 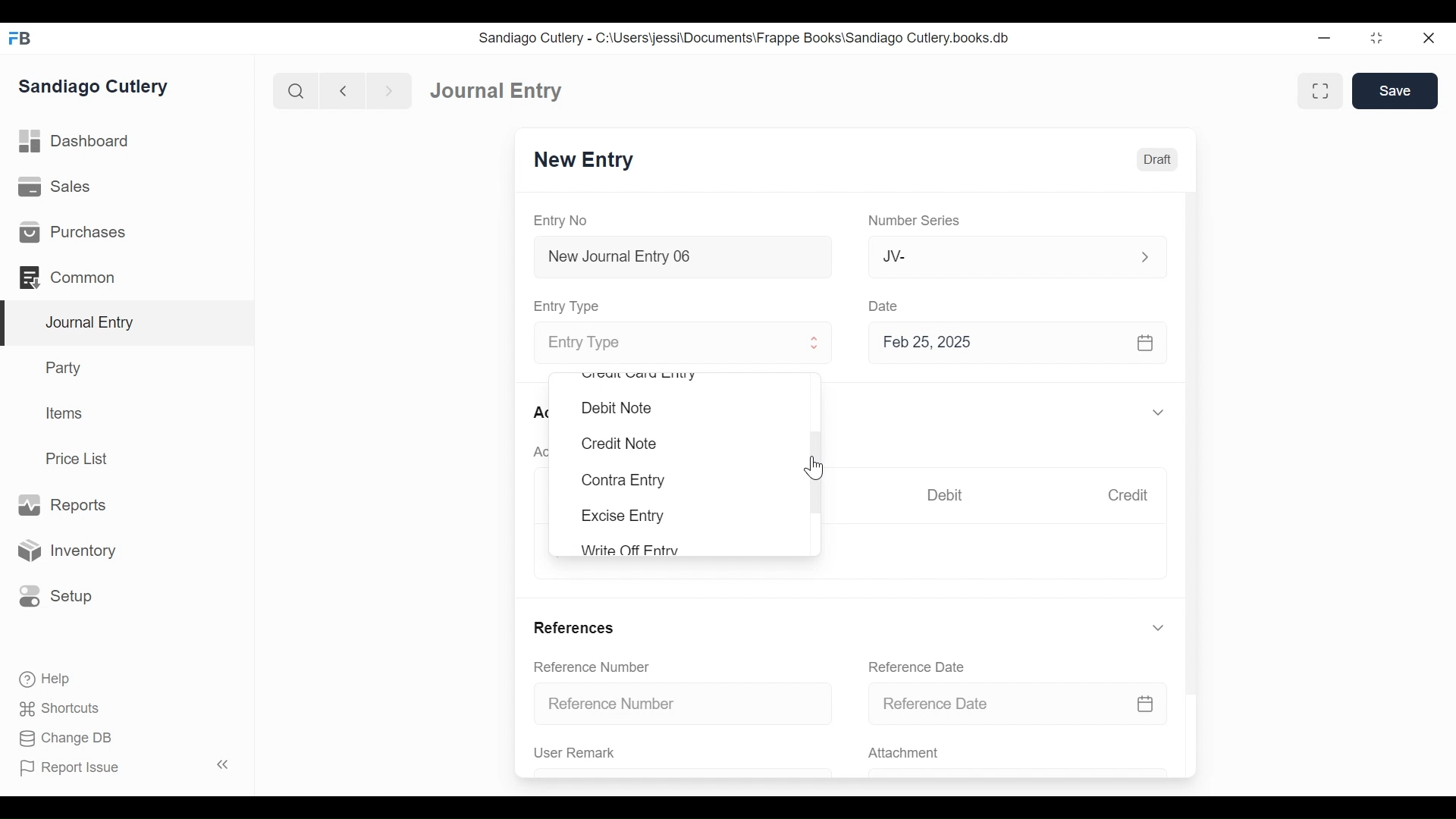 I want to click on Expand, so click(x=1158, y=628).